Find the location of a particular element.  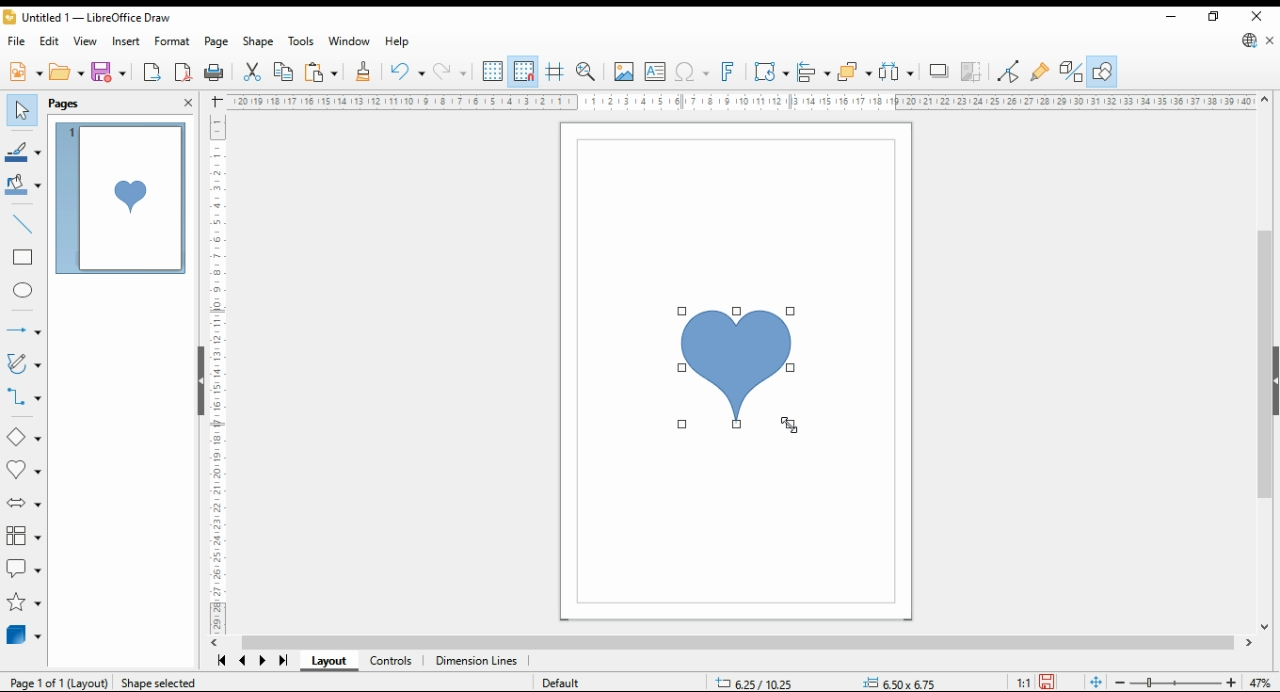

export is located at coordinates (153, 72).